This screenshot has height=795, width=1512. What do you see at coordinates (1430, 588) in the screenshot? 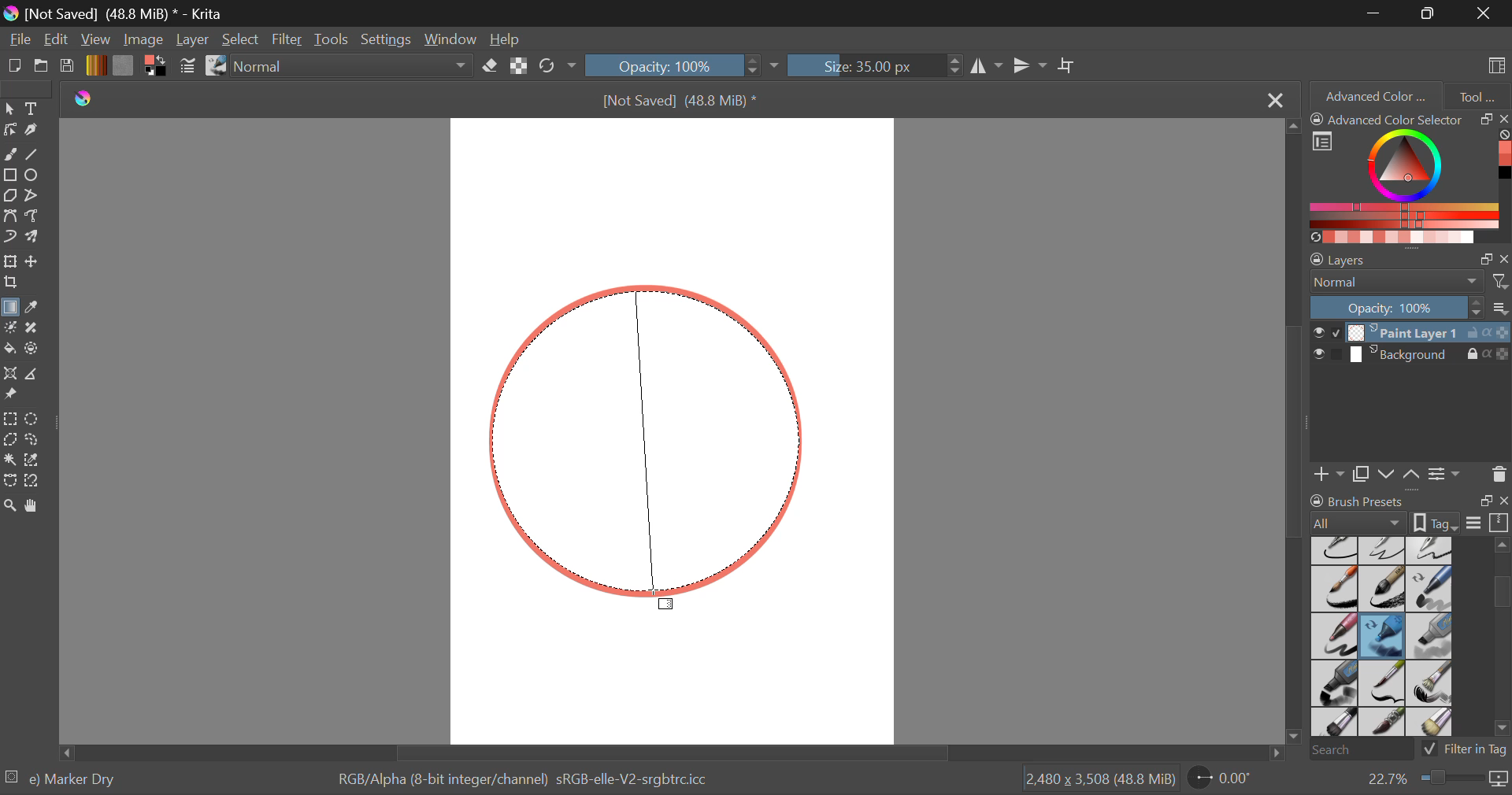
I see `Marker Chisel Smooth` at bounding box center [1430, 588].